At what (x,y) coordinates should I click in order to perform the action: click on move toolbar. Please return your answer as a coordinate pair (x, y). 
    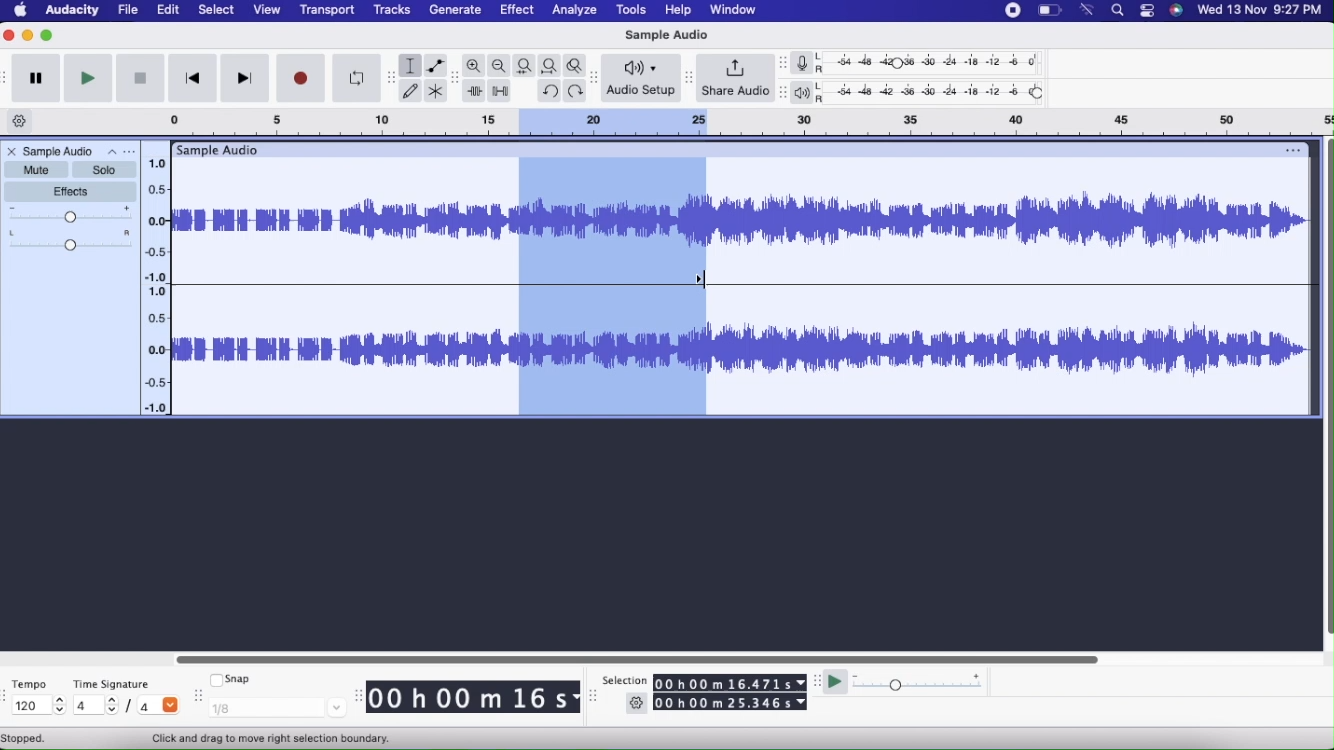
    Looking at the image, I should click on (596, 80).